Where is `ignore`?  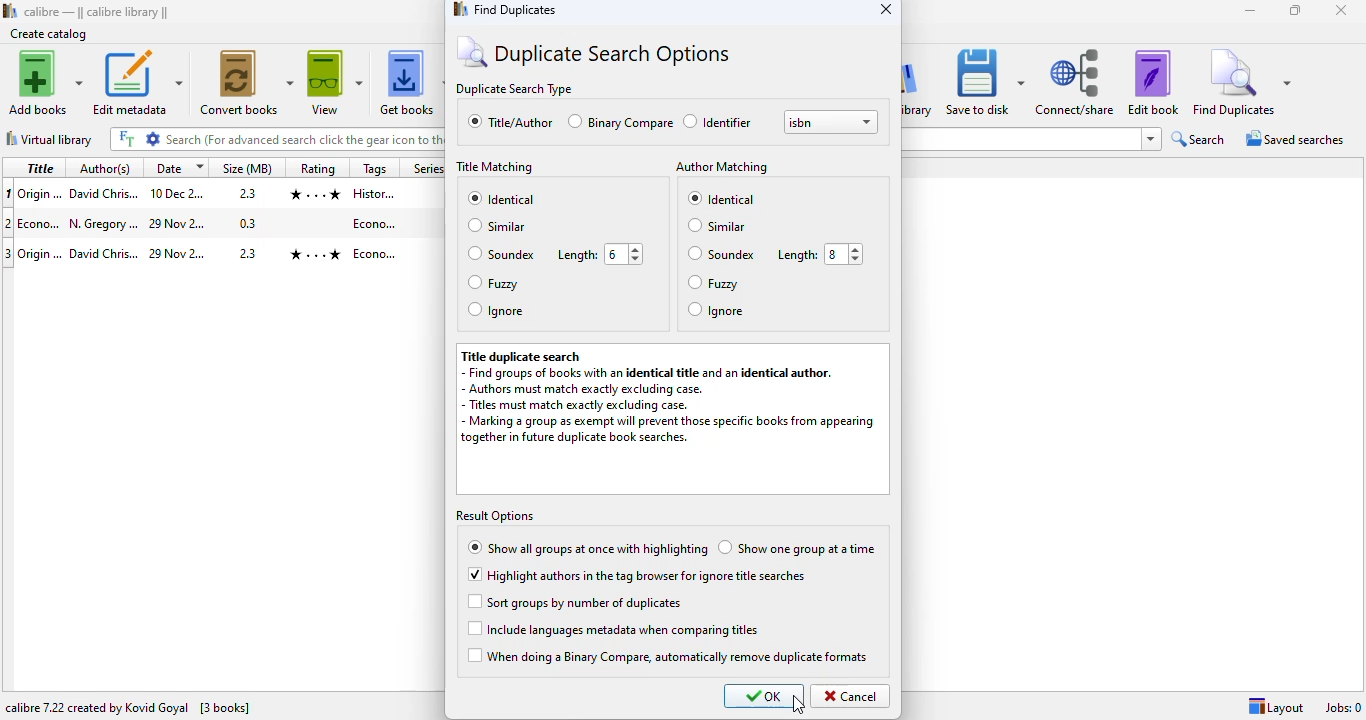 ignore is located at coordinates (495, 310).